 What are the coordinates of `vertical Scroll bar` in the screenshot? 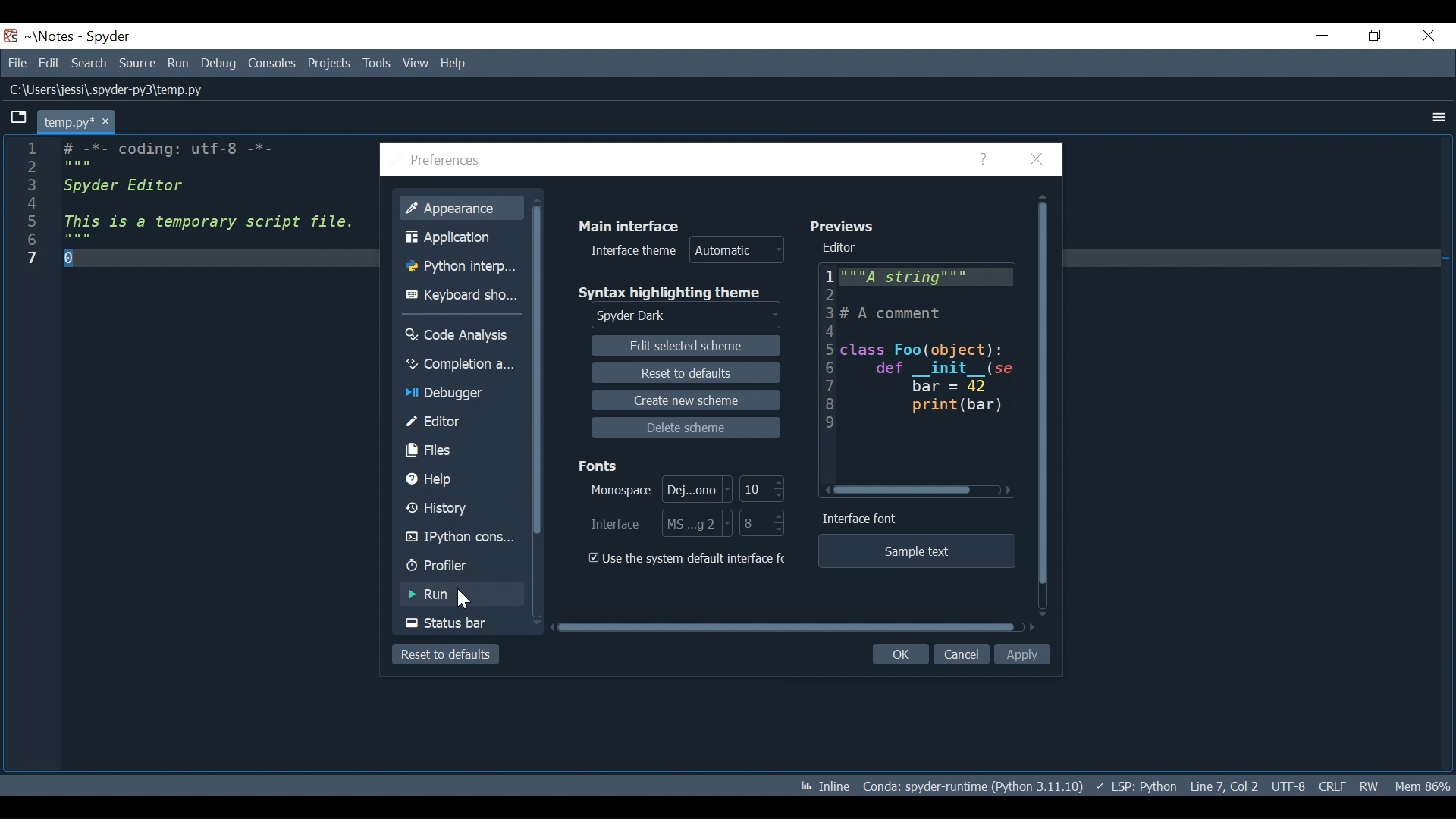 It's located at (1046, 406).